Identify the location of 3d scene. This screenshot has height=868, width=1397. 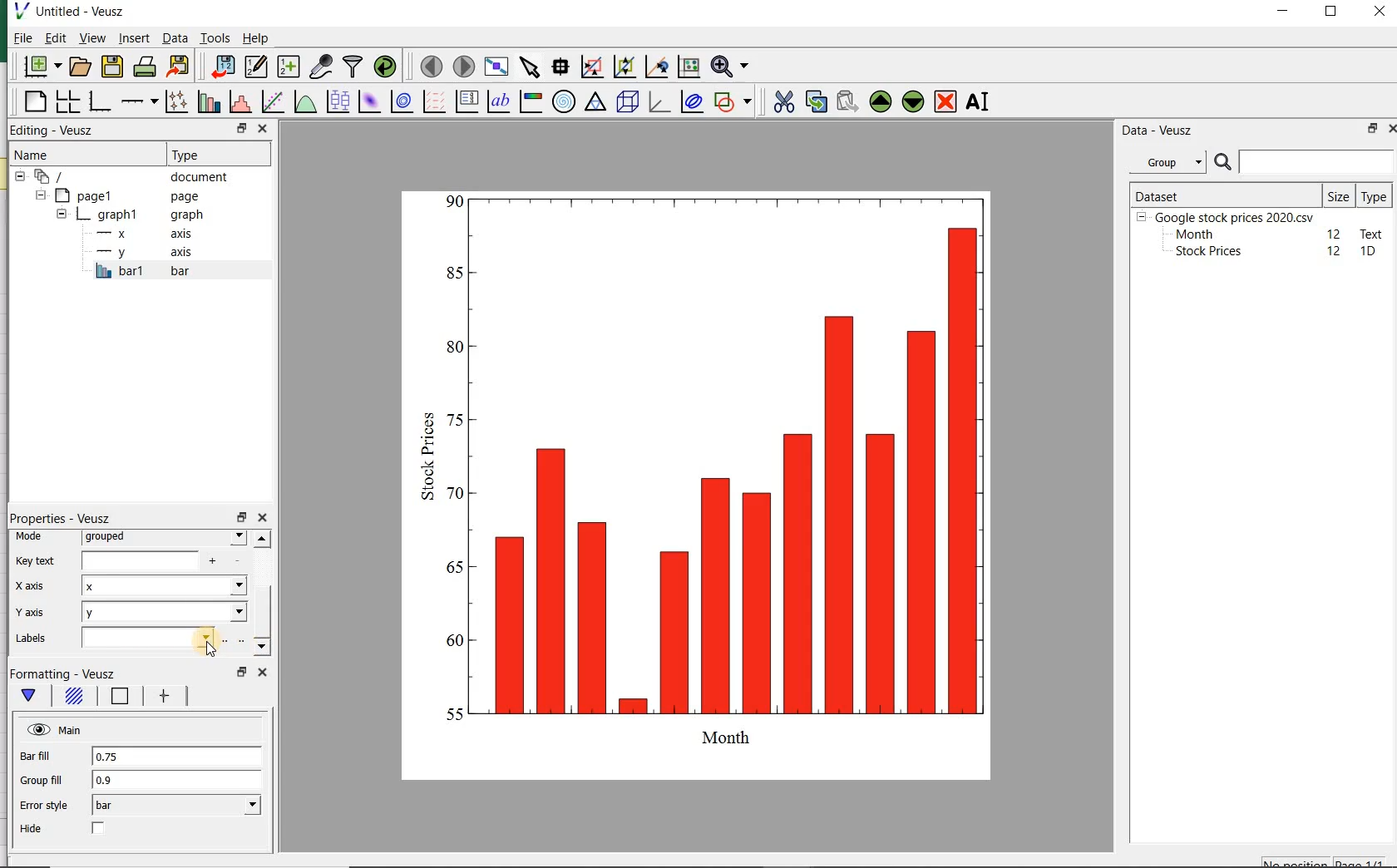
(628, 103).